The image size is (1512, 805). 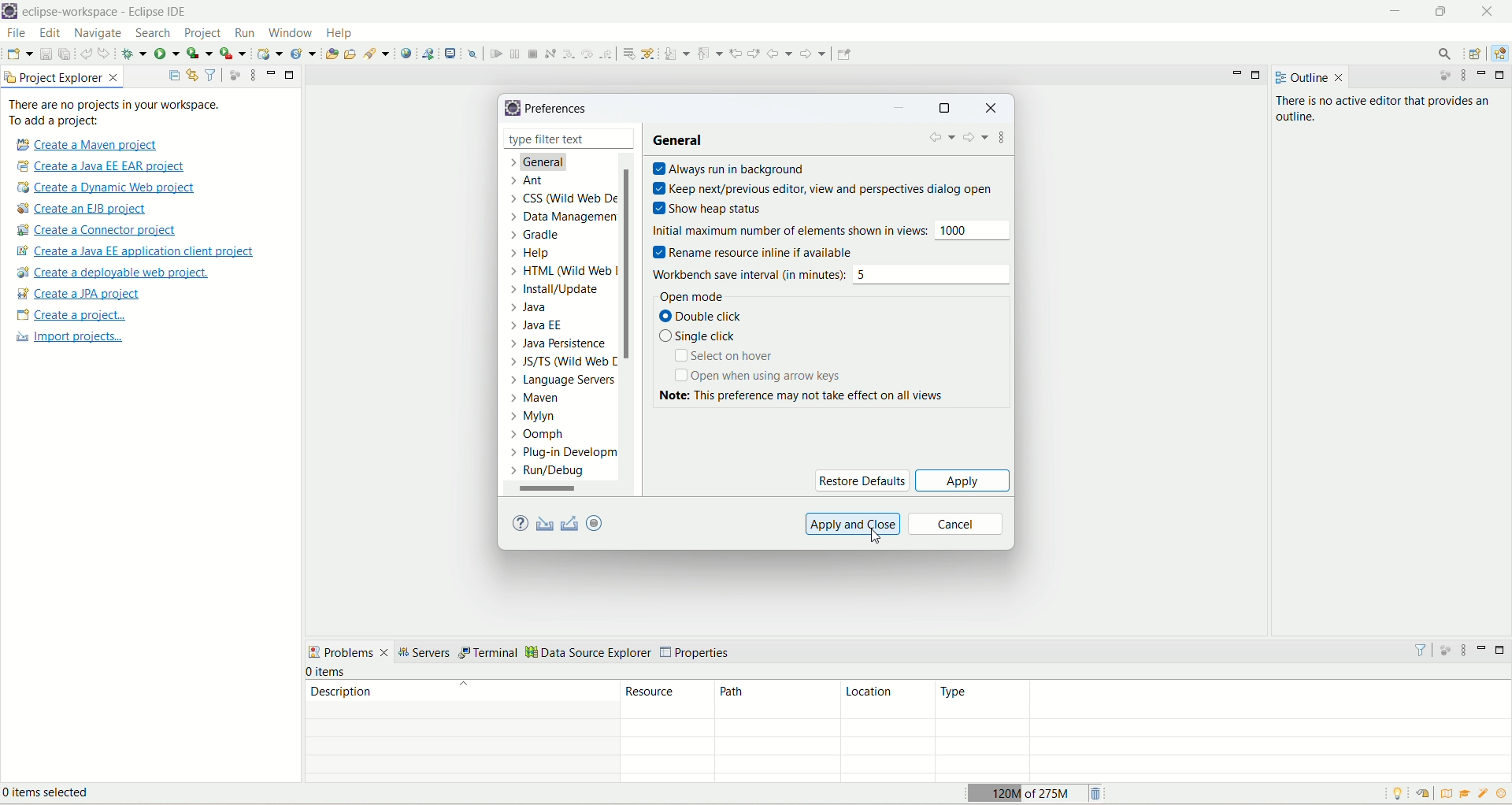 I want to click on focus on active task, so click(x=1443, y=648).